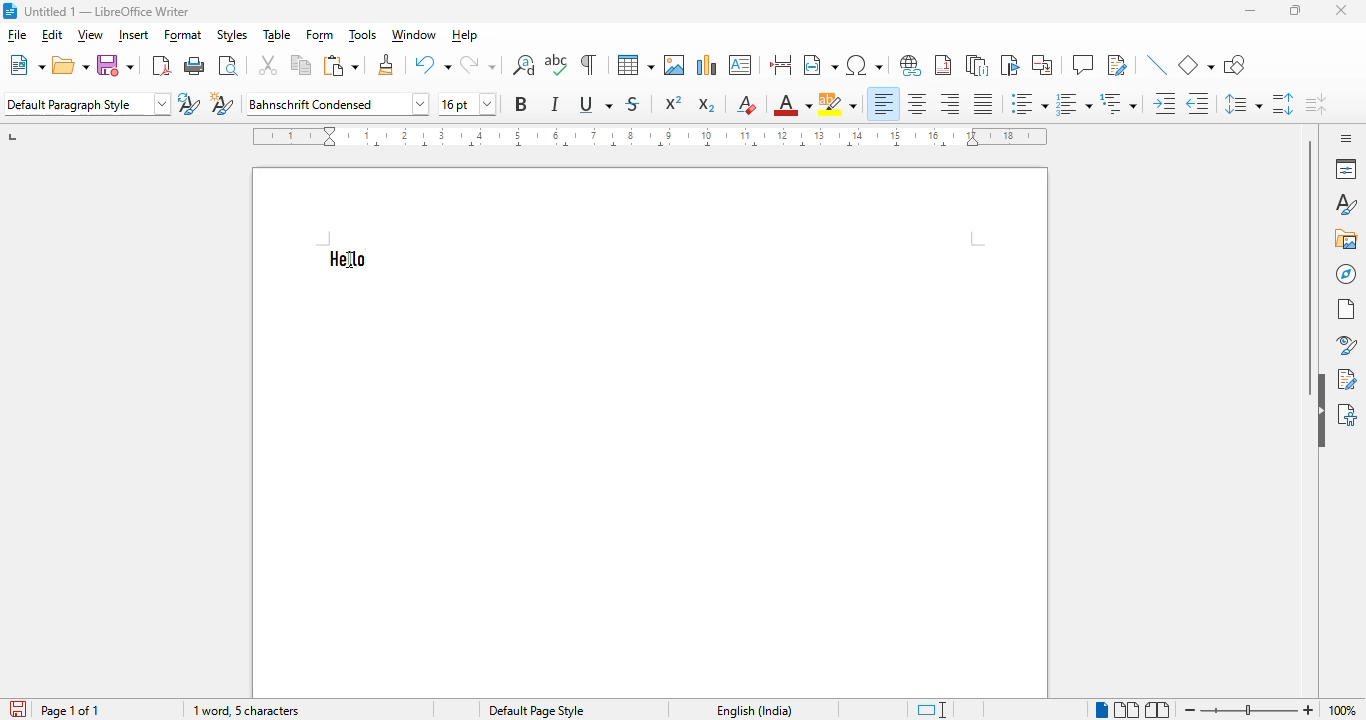  What do you see at coordinates (634, 104) in the screenshot?
I see `strikethrough` at bounding box center [634, 104].